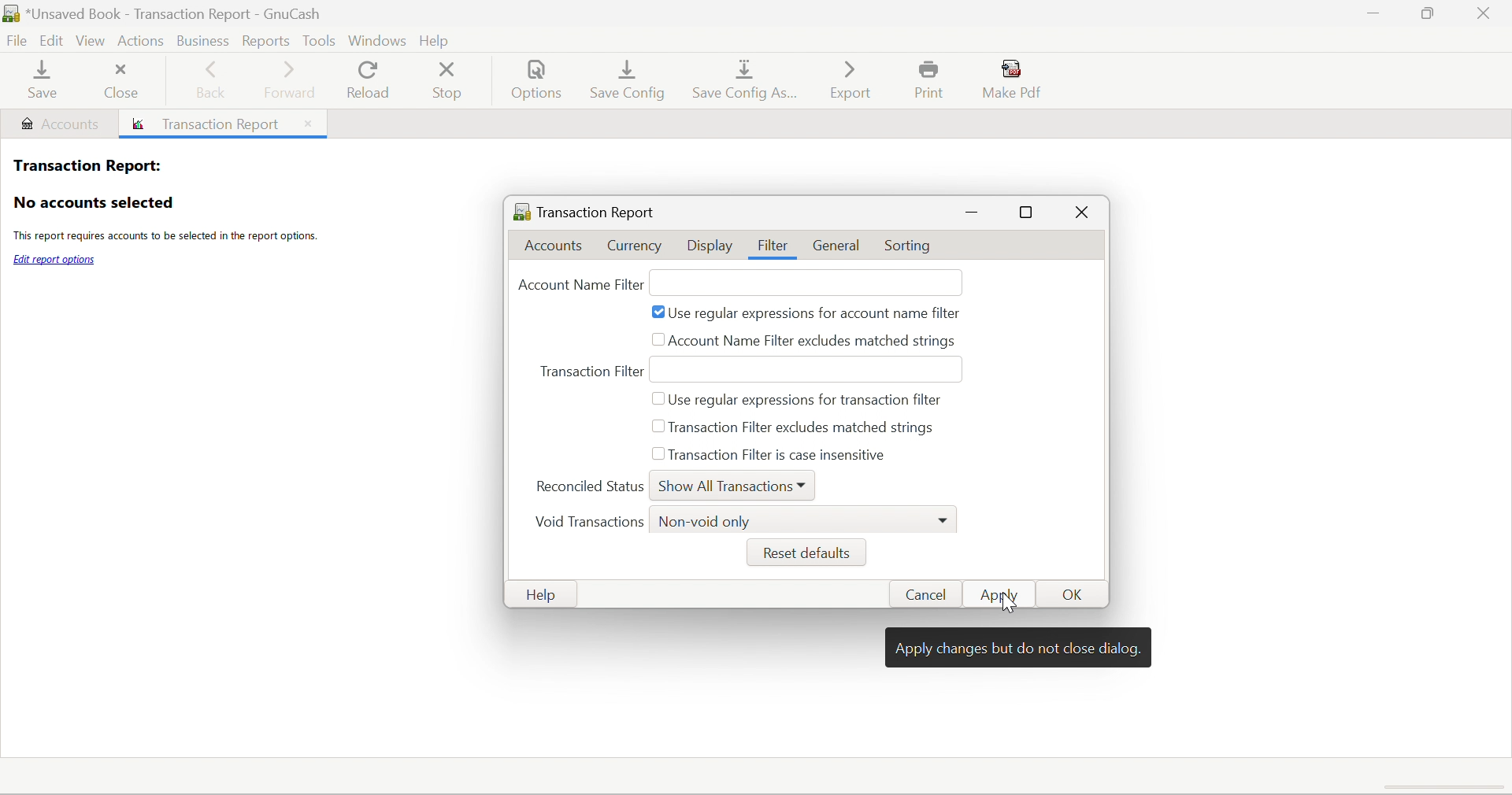 The image size is (1512, 795). I want to click on Currency, so click(636, 246).